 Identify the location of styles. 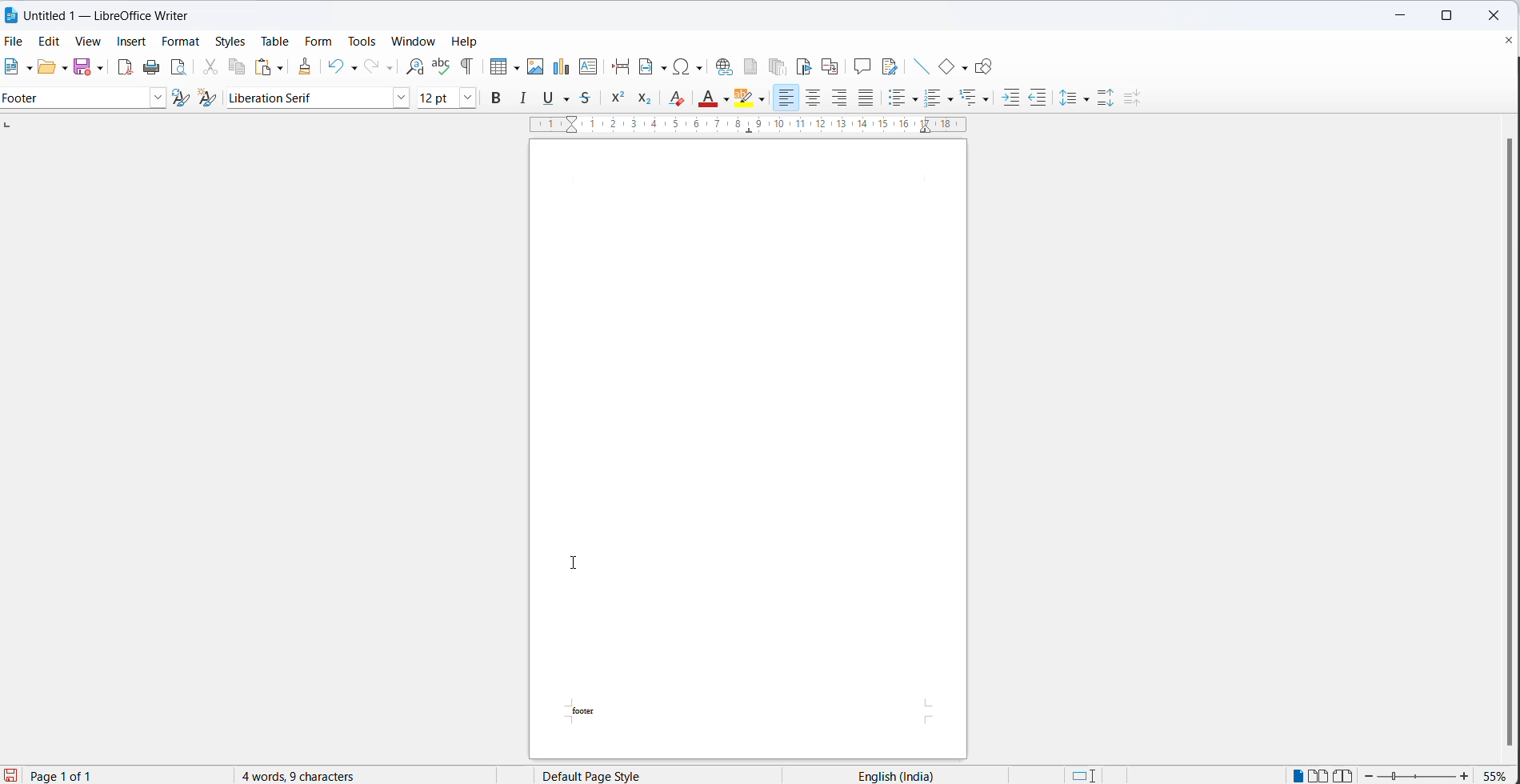
(231, 43).